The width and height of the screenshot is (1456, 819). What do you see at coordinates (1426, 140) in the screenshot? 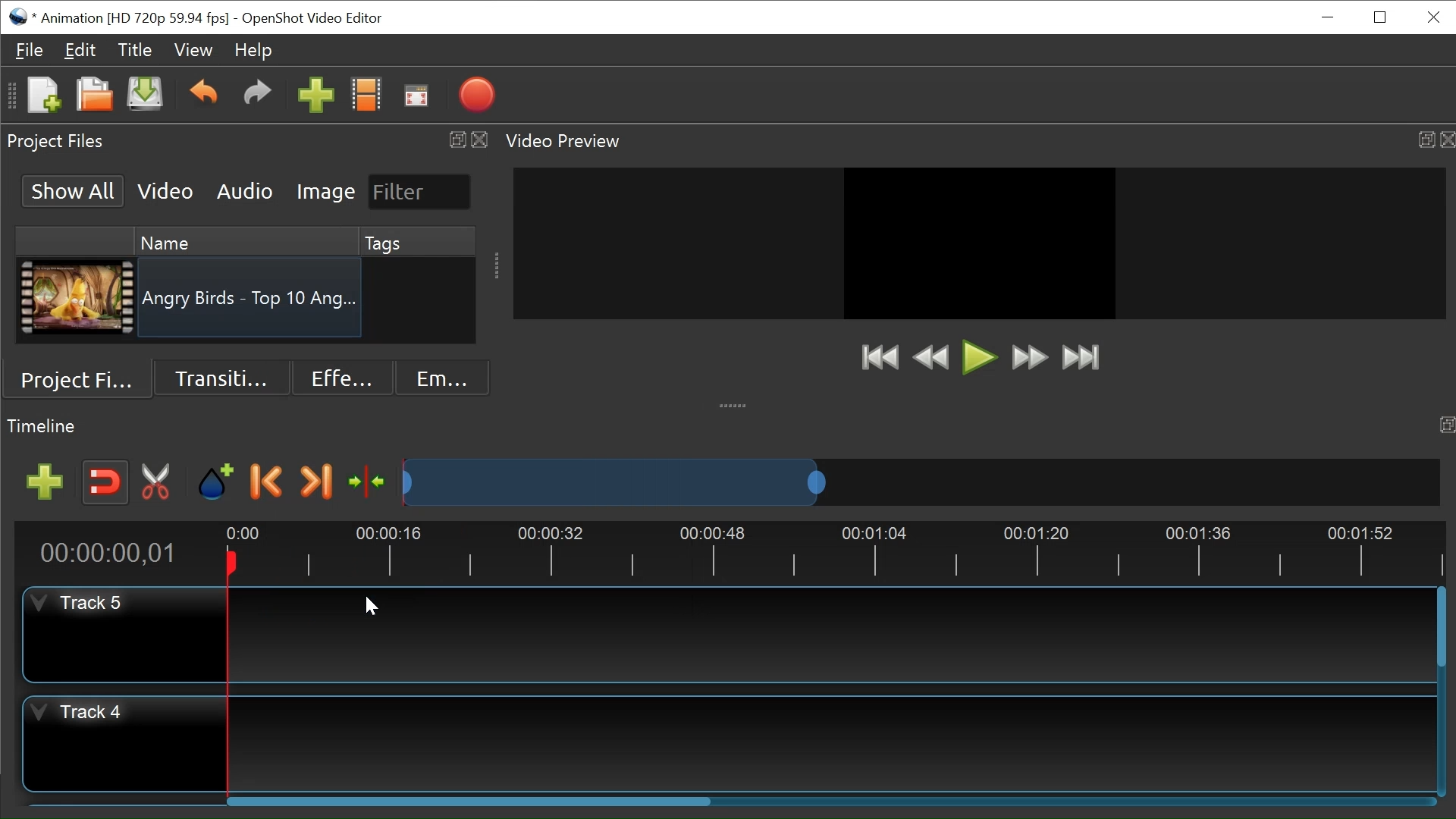
I see `Maximize` at bounding box center [1426, 140].